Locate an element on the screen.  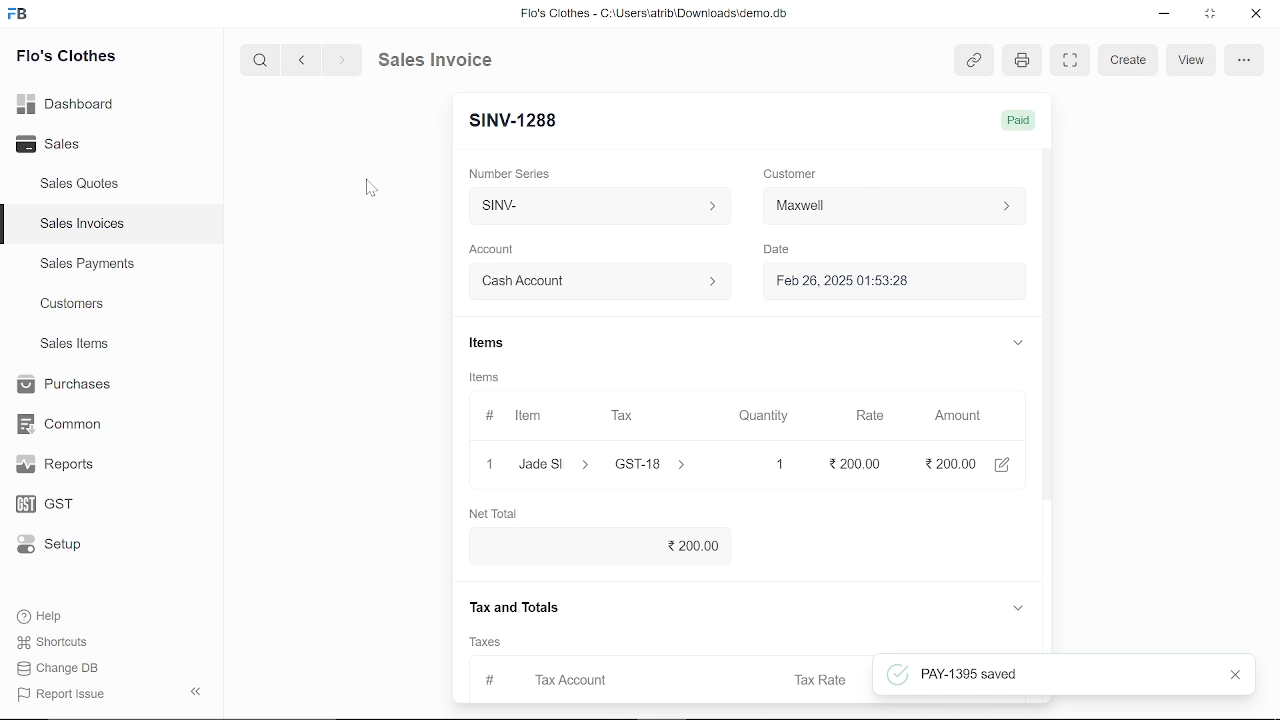
Account : is located at coordinates (598, 280).